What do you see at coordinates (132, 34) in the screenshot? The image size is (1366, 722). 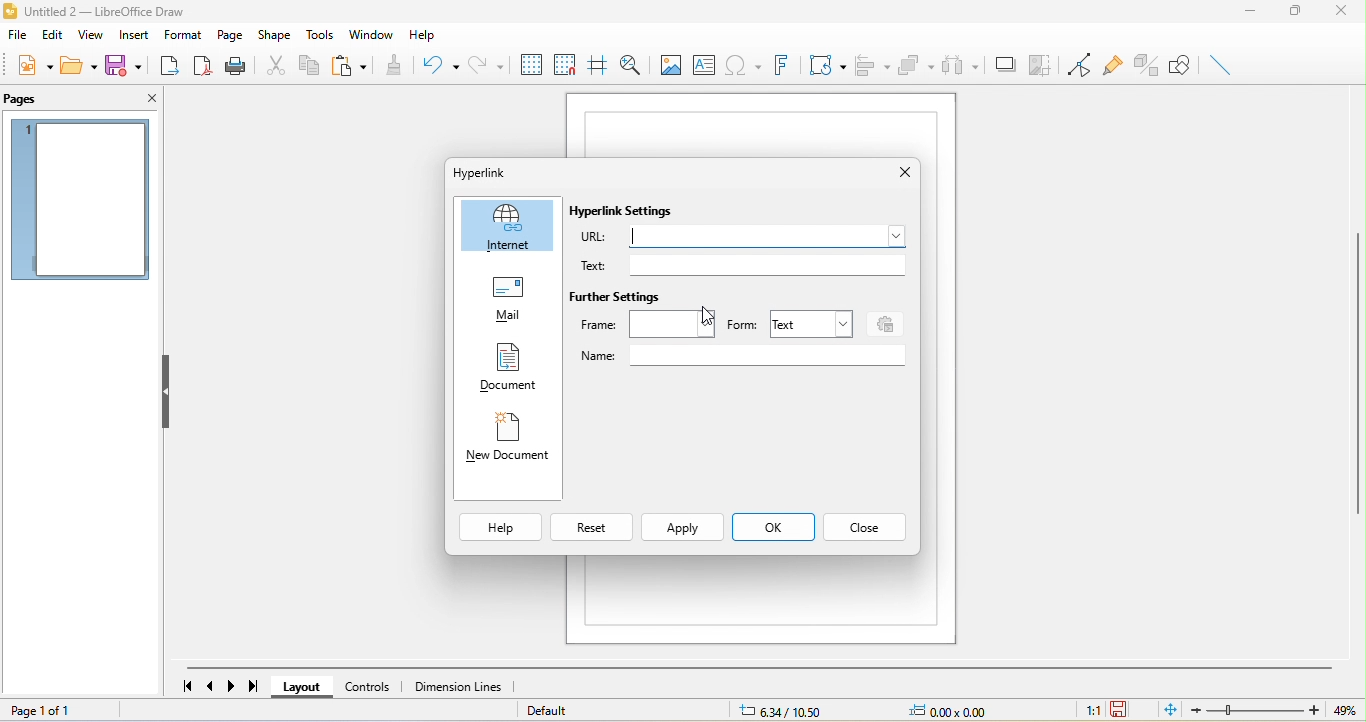 I see `insert` at bounding box center [132, 34].